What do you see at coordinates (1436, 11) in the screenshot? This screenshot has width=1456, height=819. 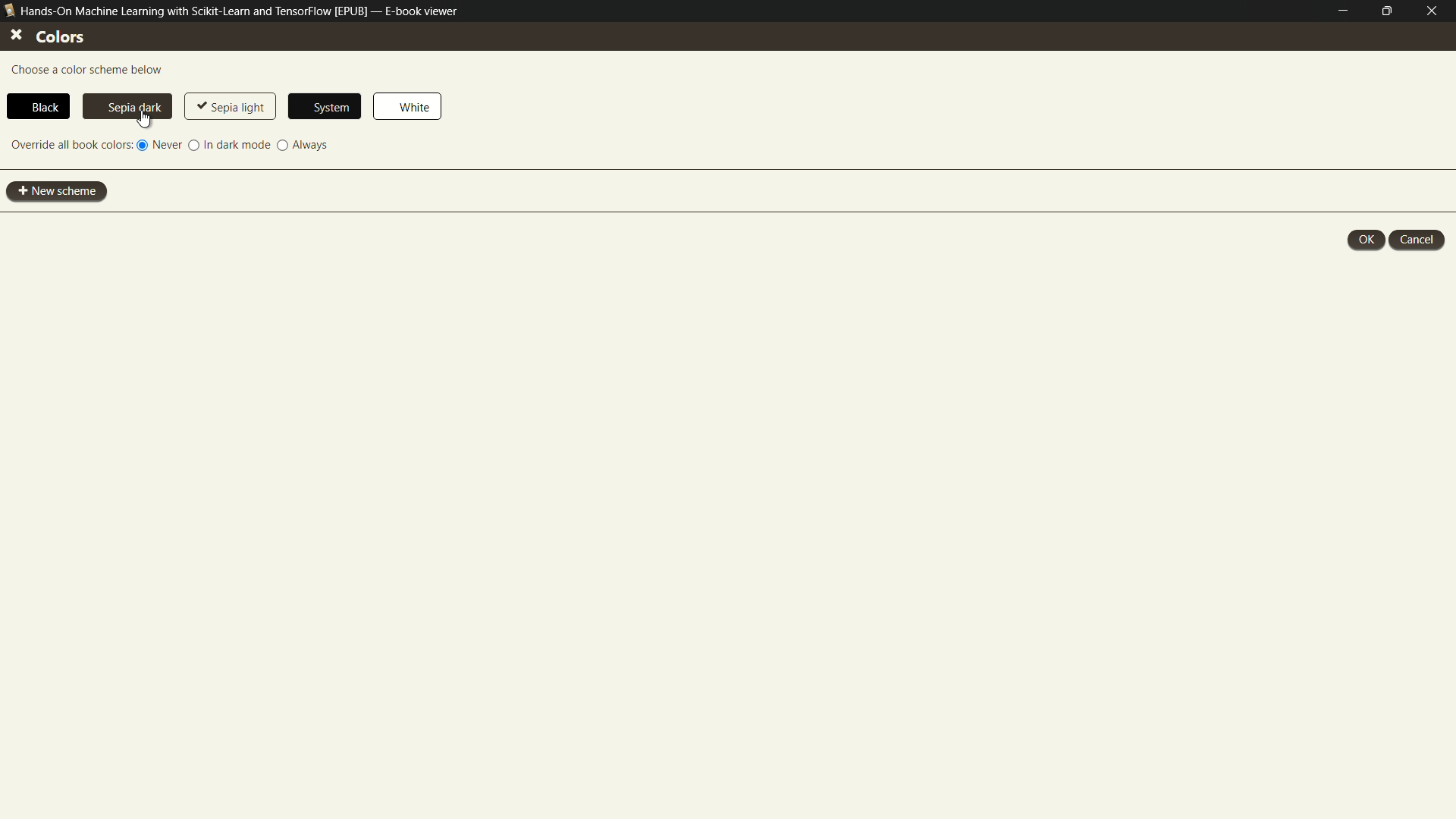 I see `close e-book viewer mode` at bounding box center [1436, 11].